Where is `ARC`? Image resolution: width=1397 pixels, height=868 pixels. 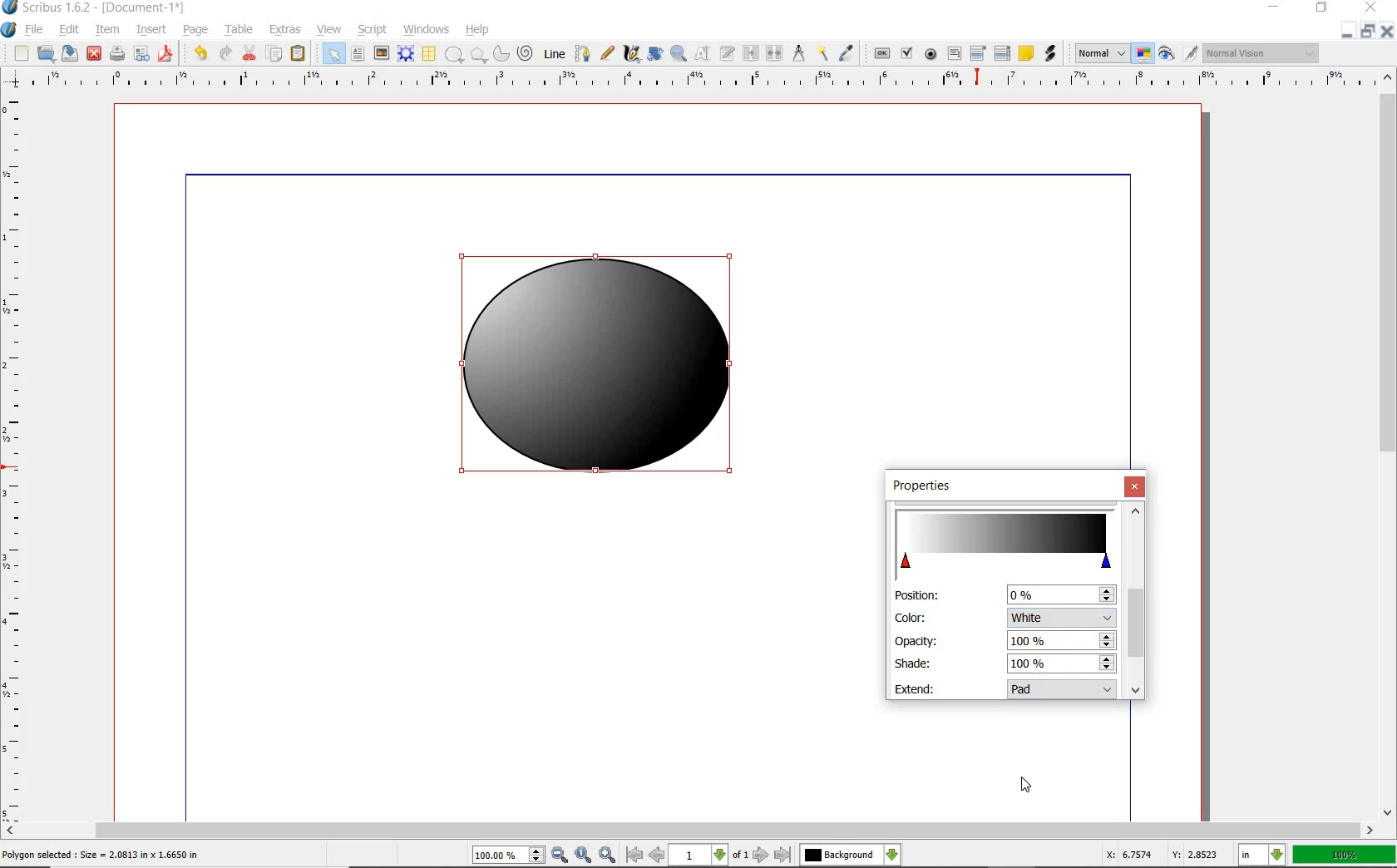
ARC is located at coordinates (500, 55).